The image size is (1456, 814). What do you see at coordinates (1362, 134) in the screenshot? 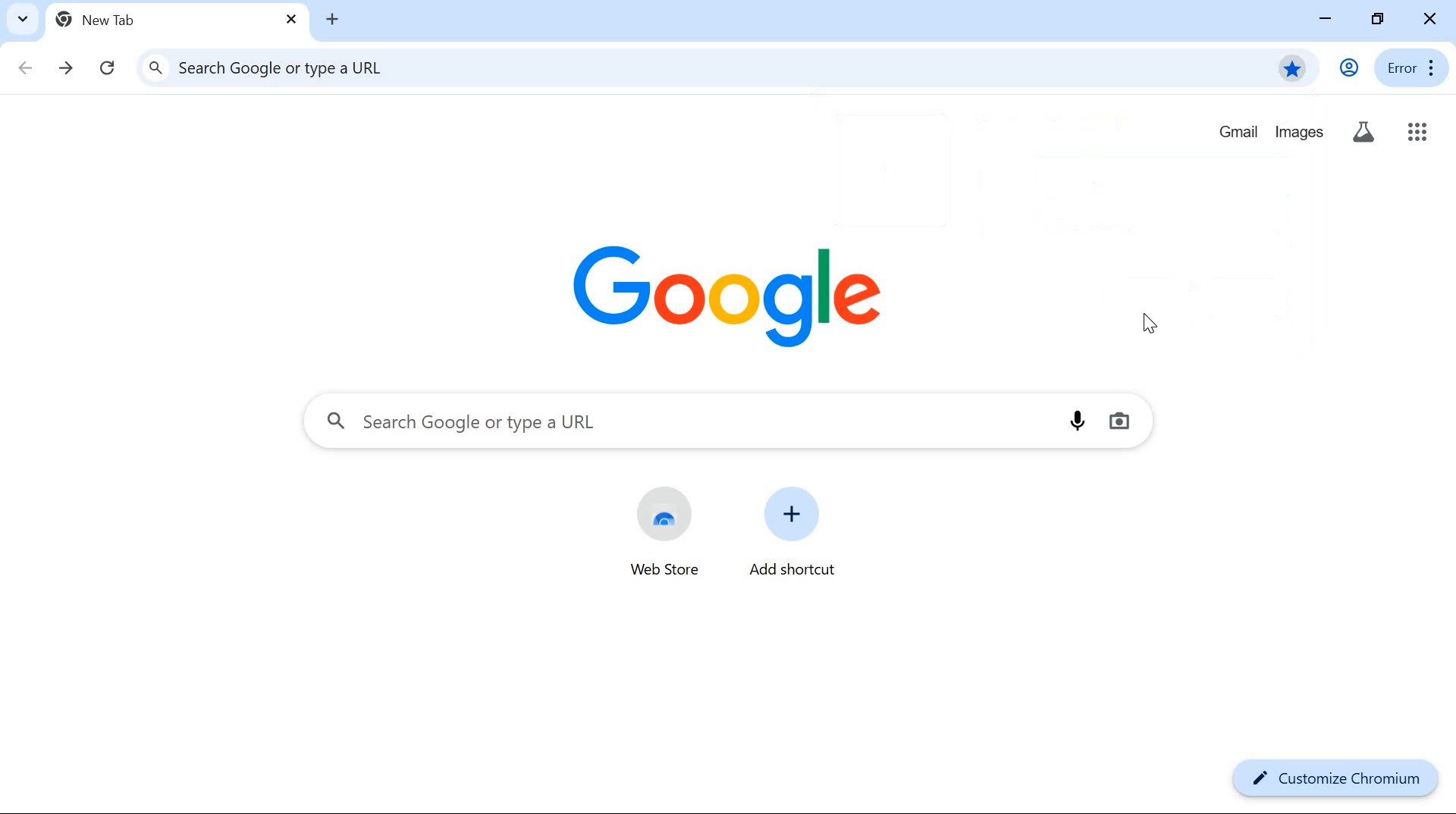
I see `` at bounding box center [1362, 134].